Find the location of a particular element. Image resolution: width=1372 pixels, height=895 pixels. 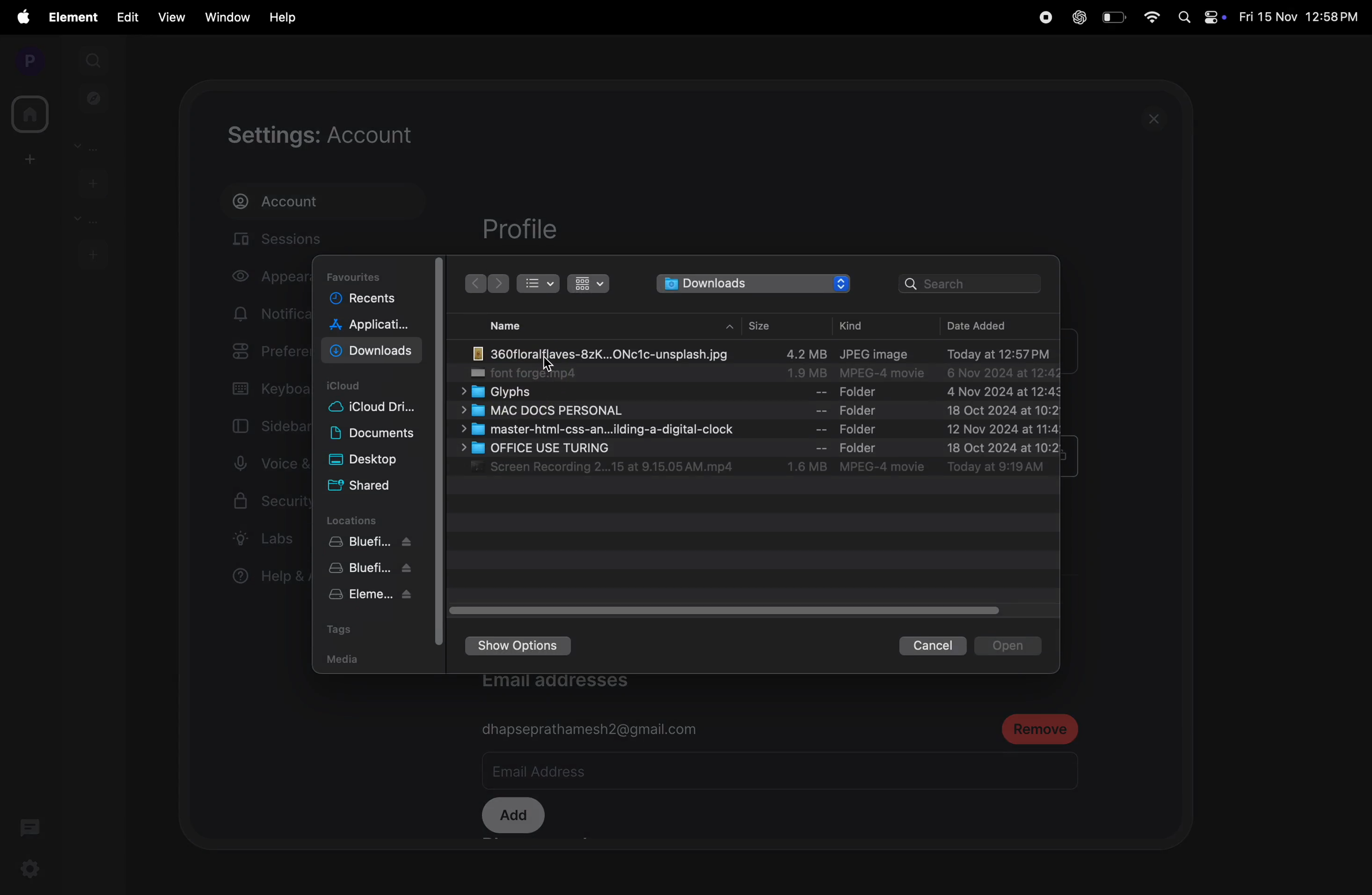

bluefish apk is located at coordinates (372, 570).